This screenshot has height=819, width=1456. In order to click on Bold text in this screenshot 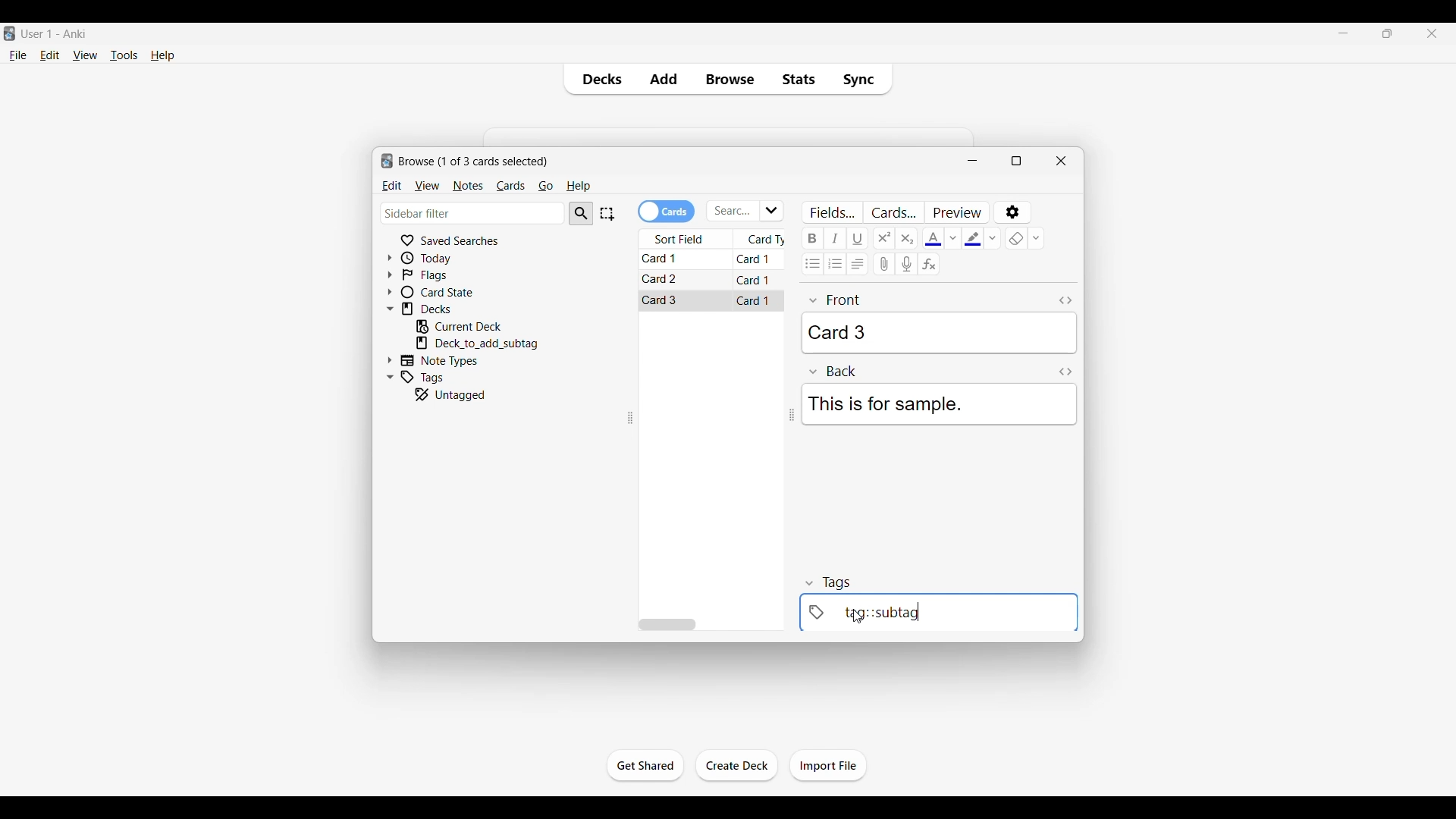, I will do `click(812, 238)`.